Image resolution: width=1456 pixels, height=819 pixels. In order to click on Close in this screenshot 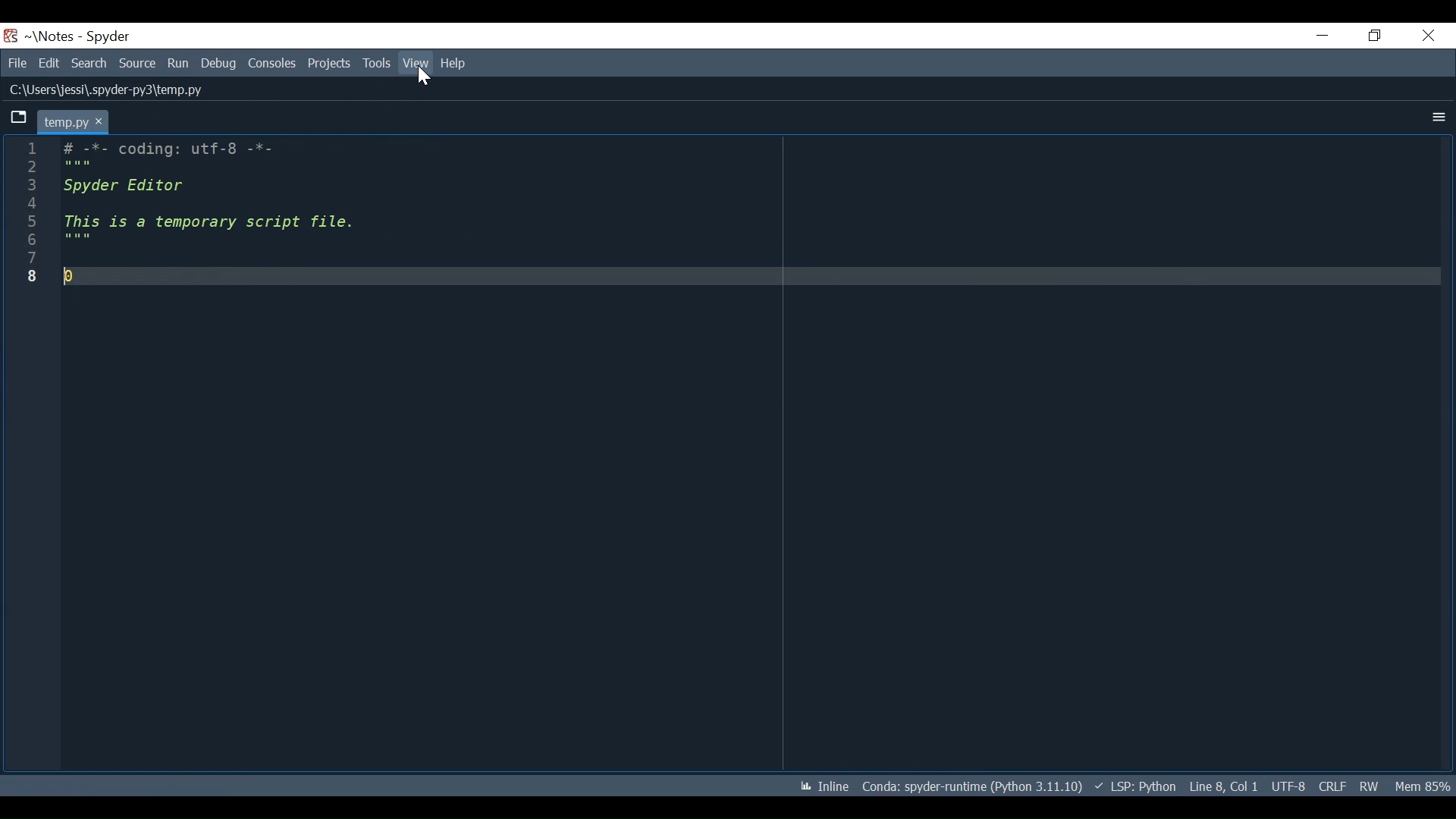, I will do `click(1427, 36)`.